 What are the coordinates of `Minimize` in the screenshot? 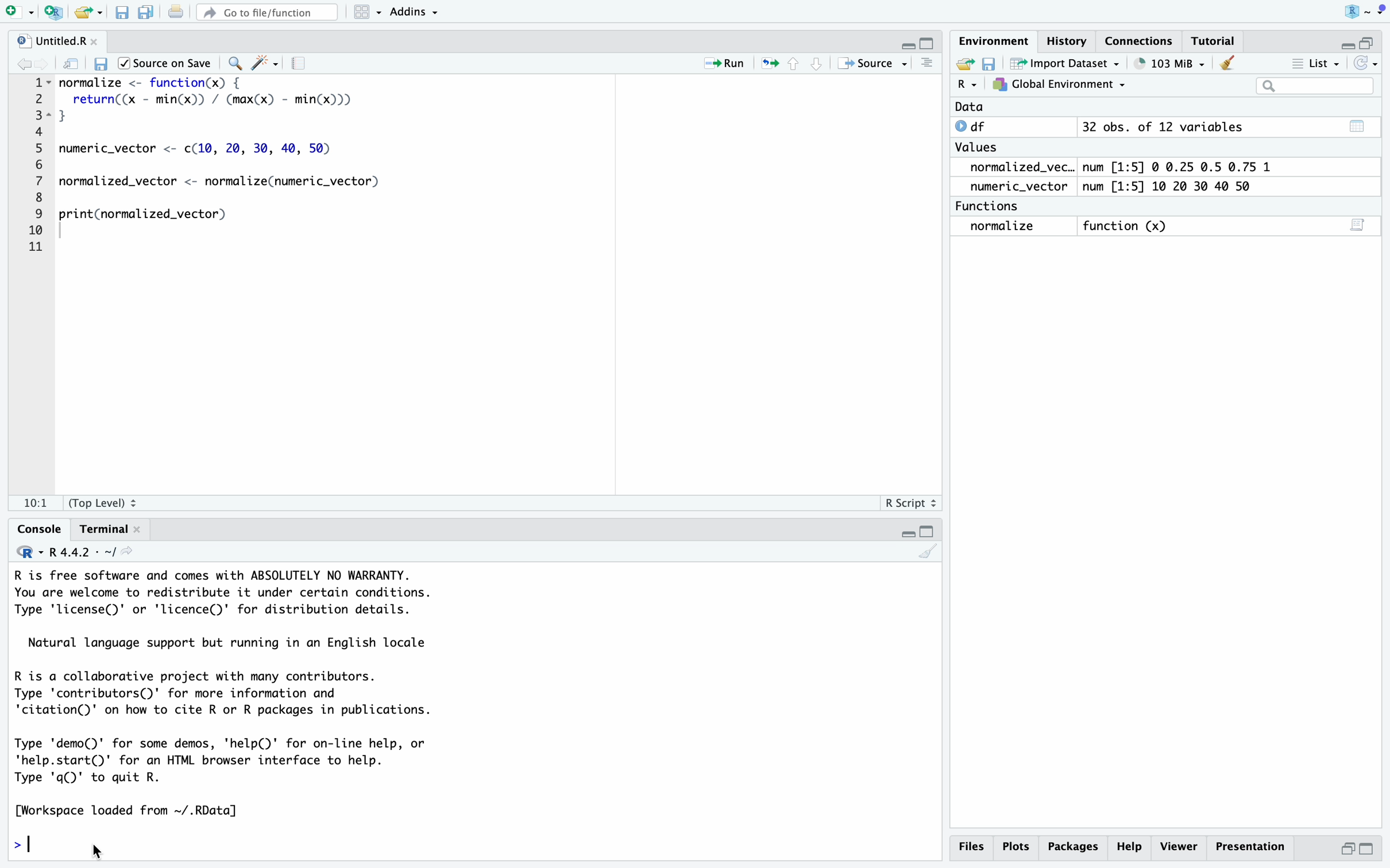 It's located at (905, 44).